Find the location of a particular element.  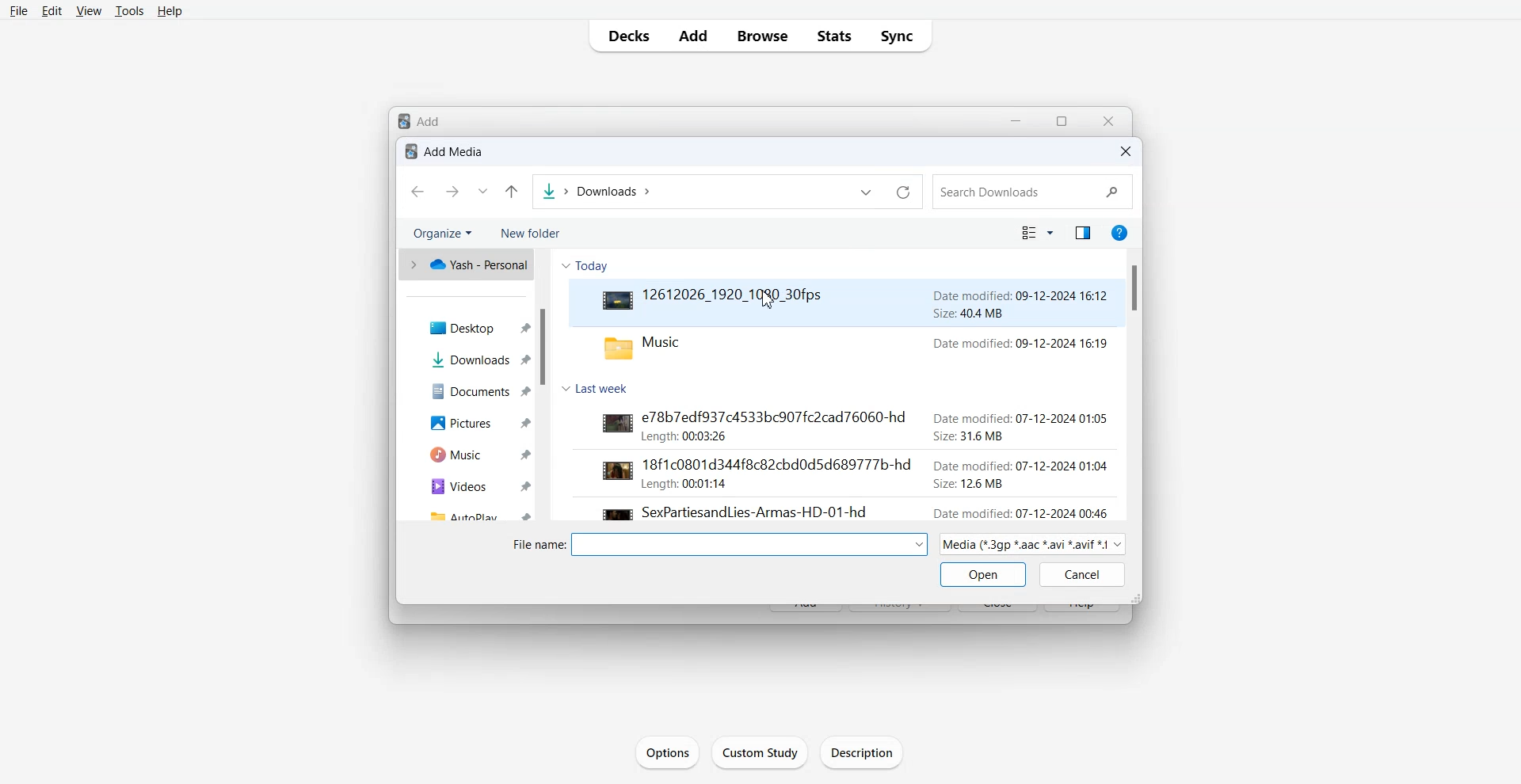

Desktop is located at coordinates (473, 325).